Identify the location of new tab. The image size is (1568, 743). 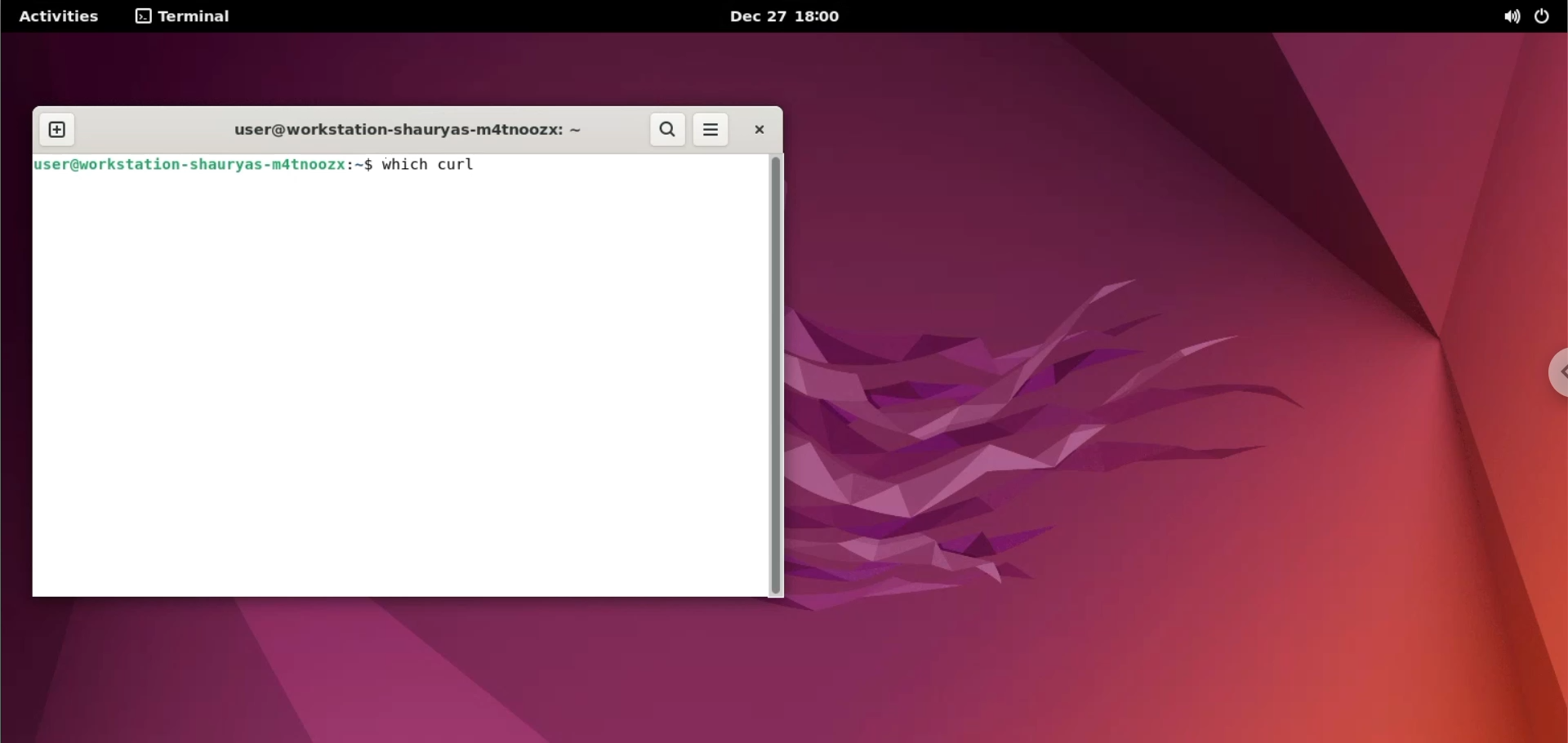
(57, 130).